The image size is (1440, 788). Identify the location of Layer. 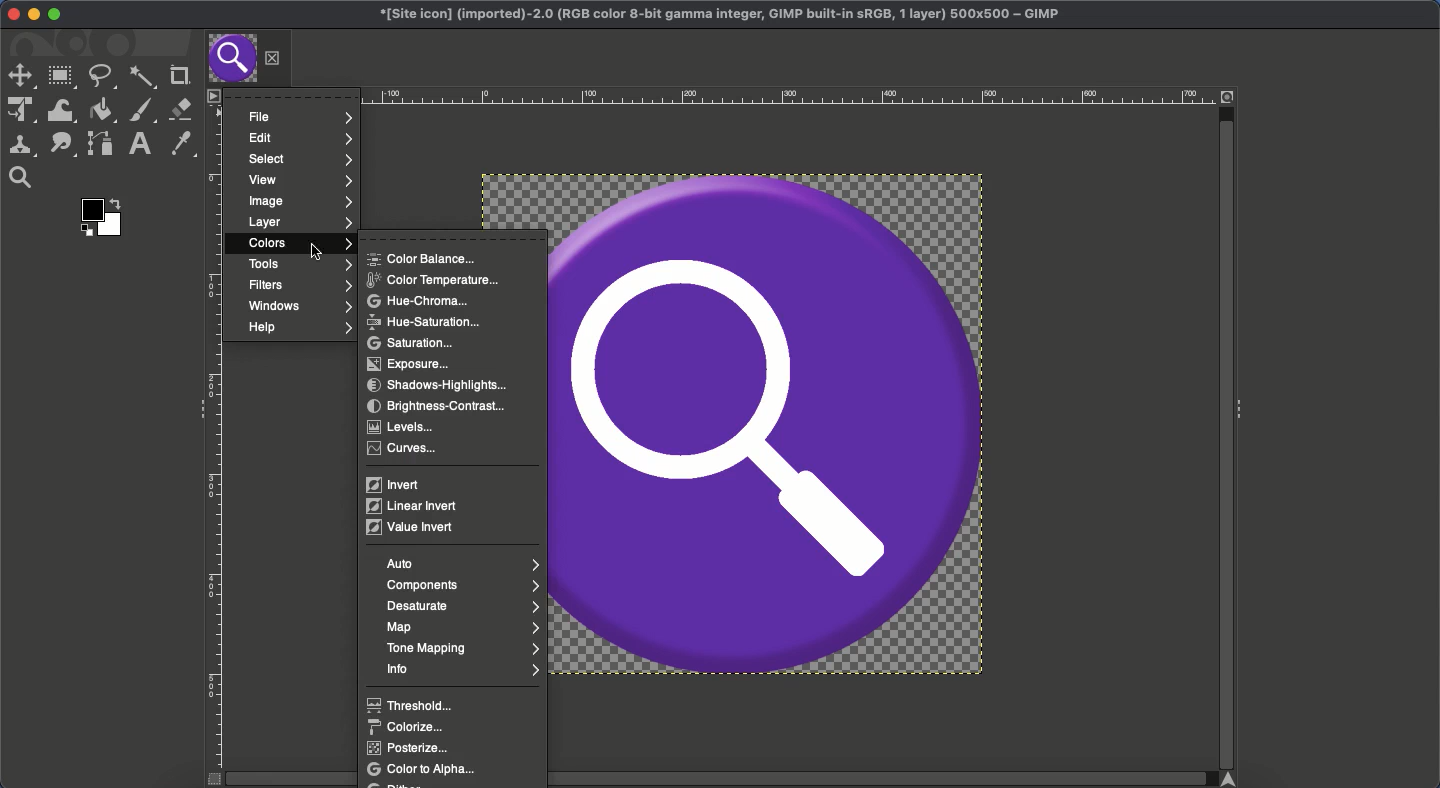
(299, 222).